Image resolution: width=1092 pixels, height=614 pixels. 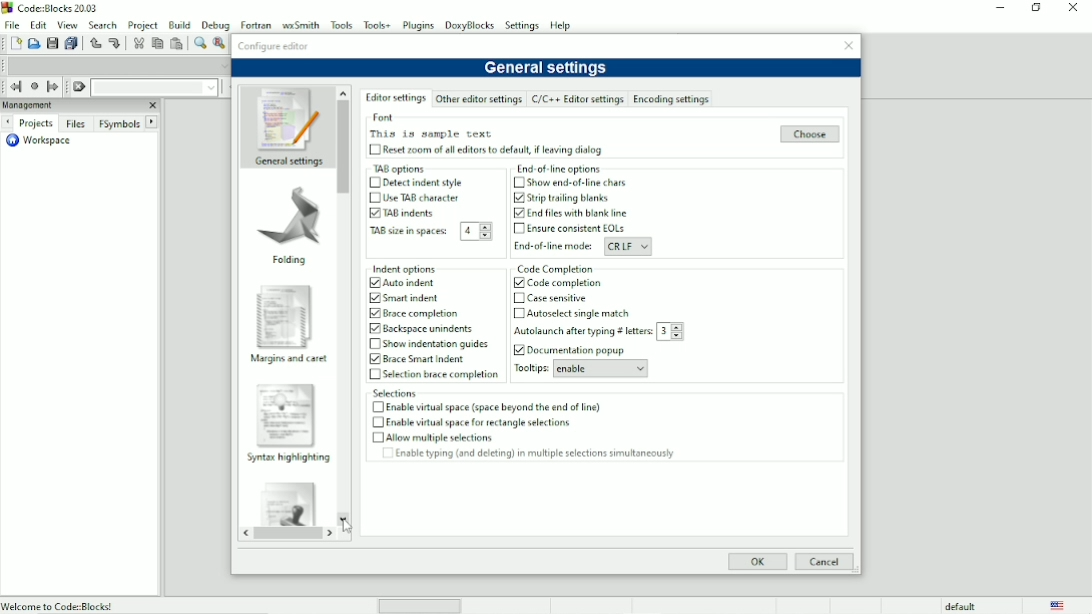 What do you see at coordinates (670, 98) in the screenshot?
I see `Encoding settings` at bounding box center [670, 98].